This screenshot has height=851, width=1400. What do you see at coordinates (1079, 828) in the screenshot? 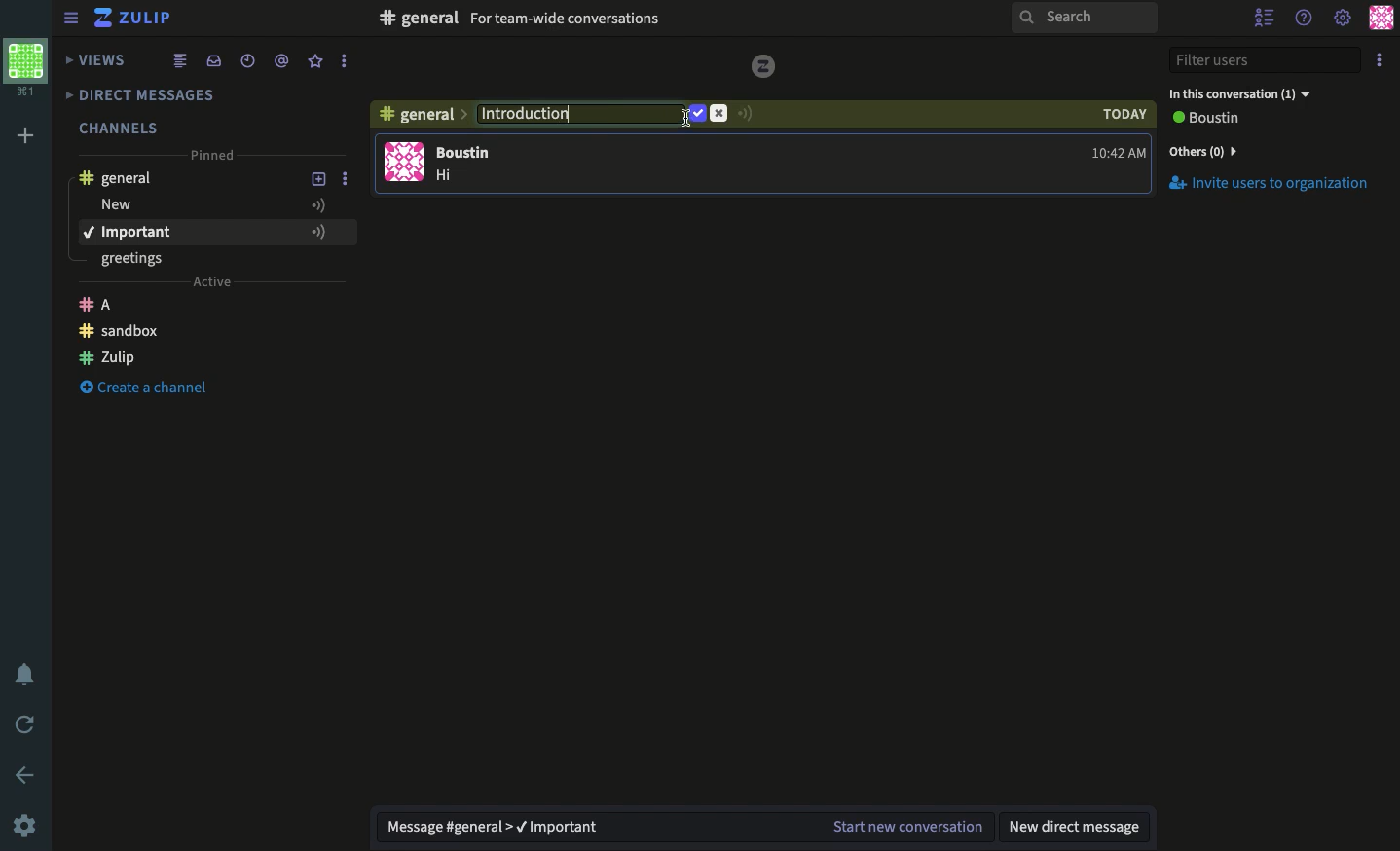
I see `New DM` at bounding box center [1079, 828].